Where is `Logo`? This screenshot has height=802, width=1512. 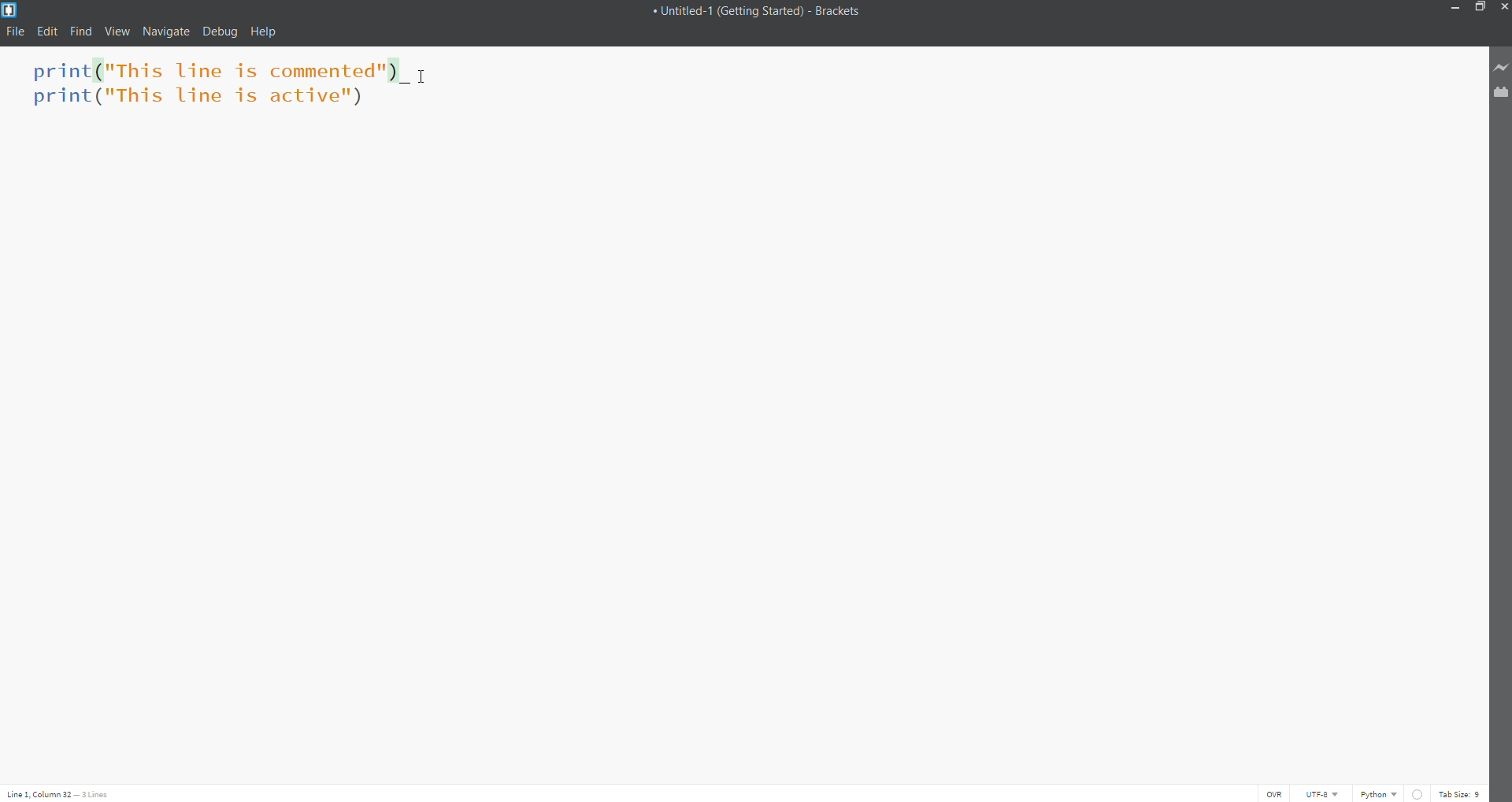
Logo is located at coordinates (16, 9).